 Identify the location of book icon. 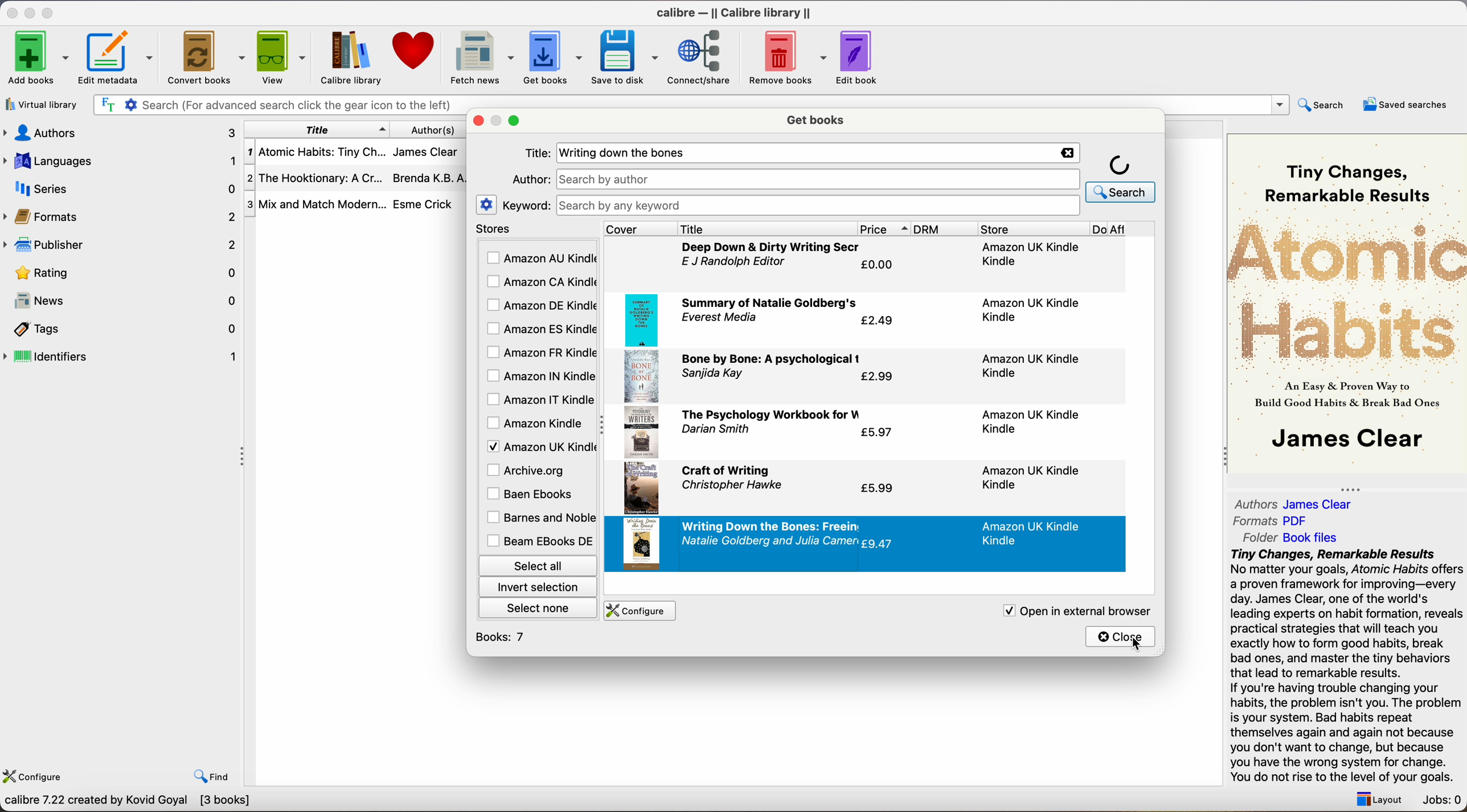
(641, 433).